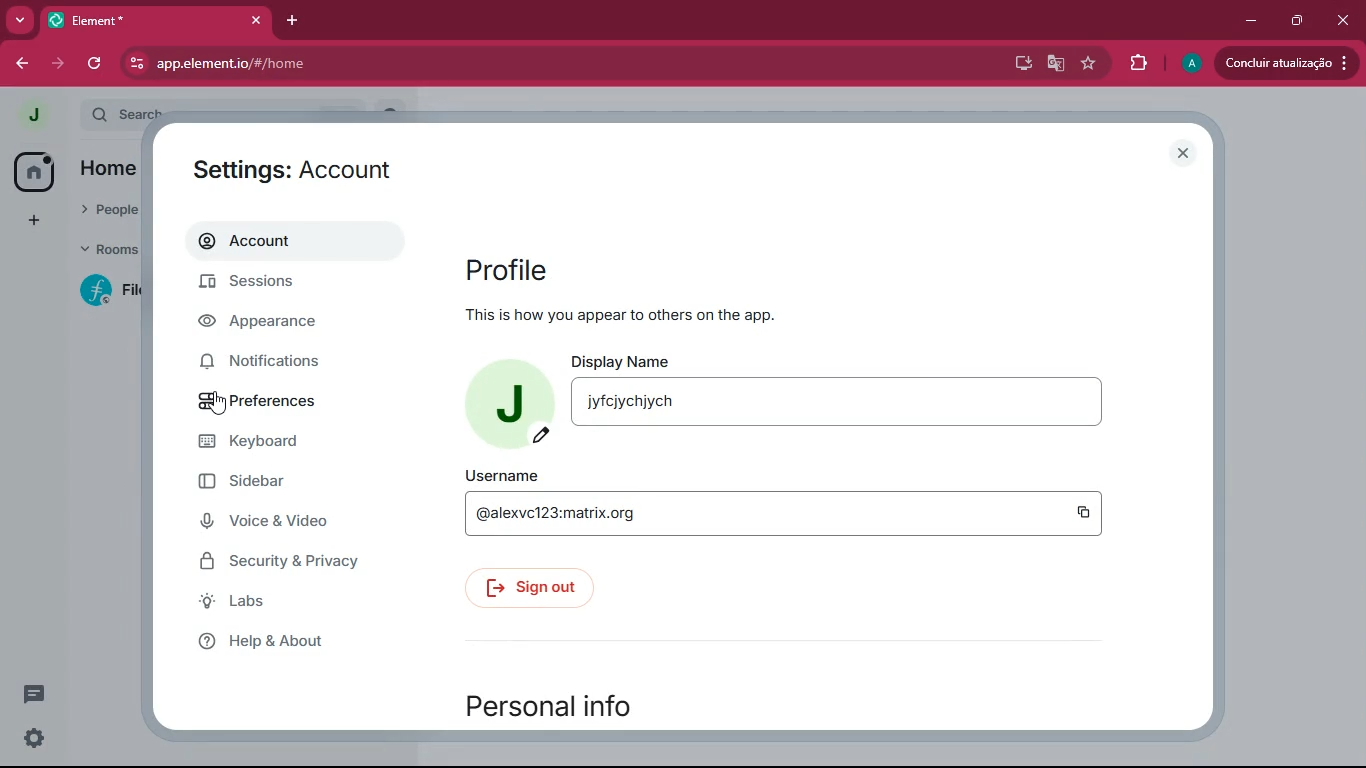 The width and height of the screenshot is (1366, 768). I want to click on conversation, so click(33, 697).